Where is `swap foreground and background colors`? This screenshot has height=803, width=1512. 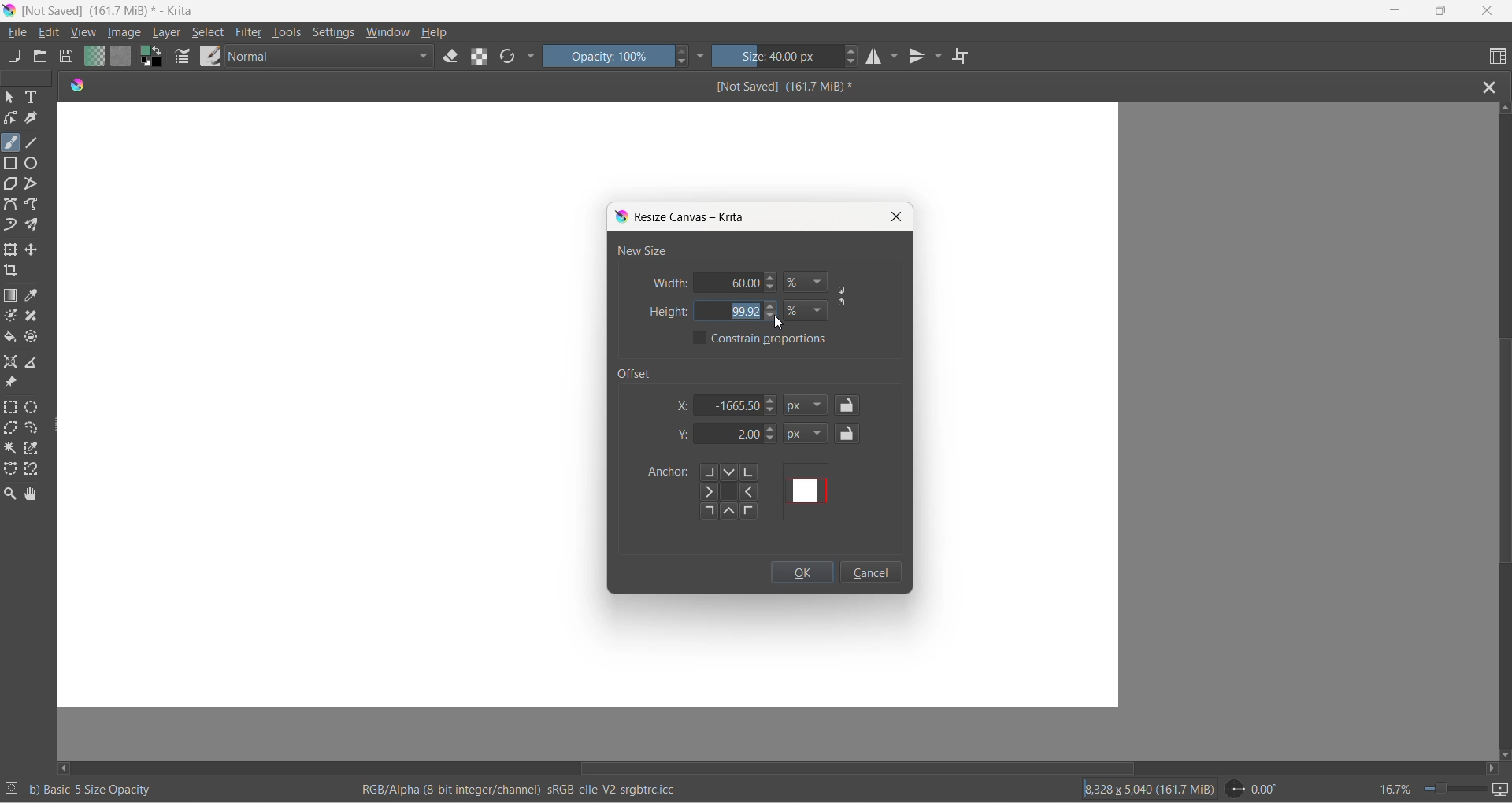 swap foreground and background colors is located at coordinates (155, 60).